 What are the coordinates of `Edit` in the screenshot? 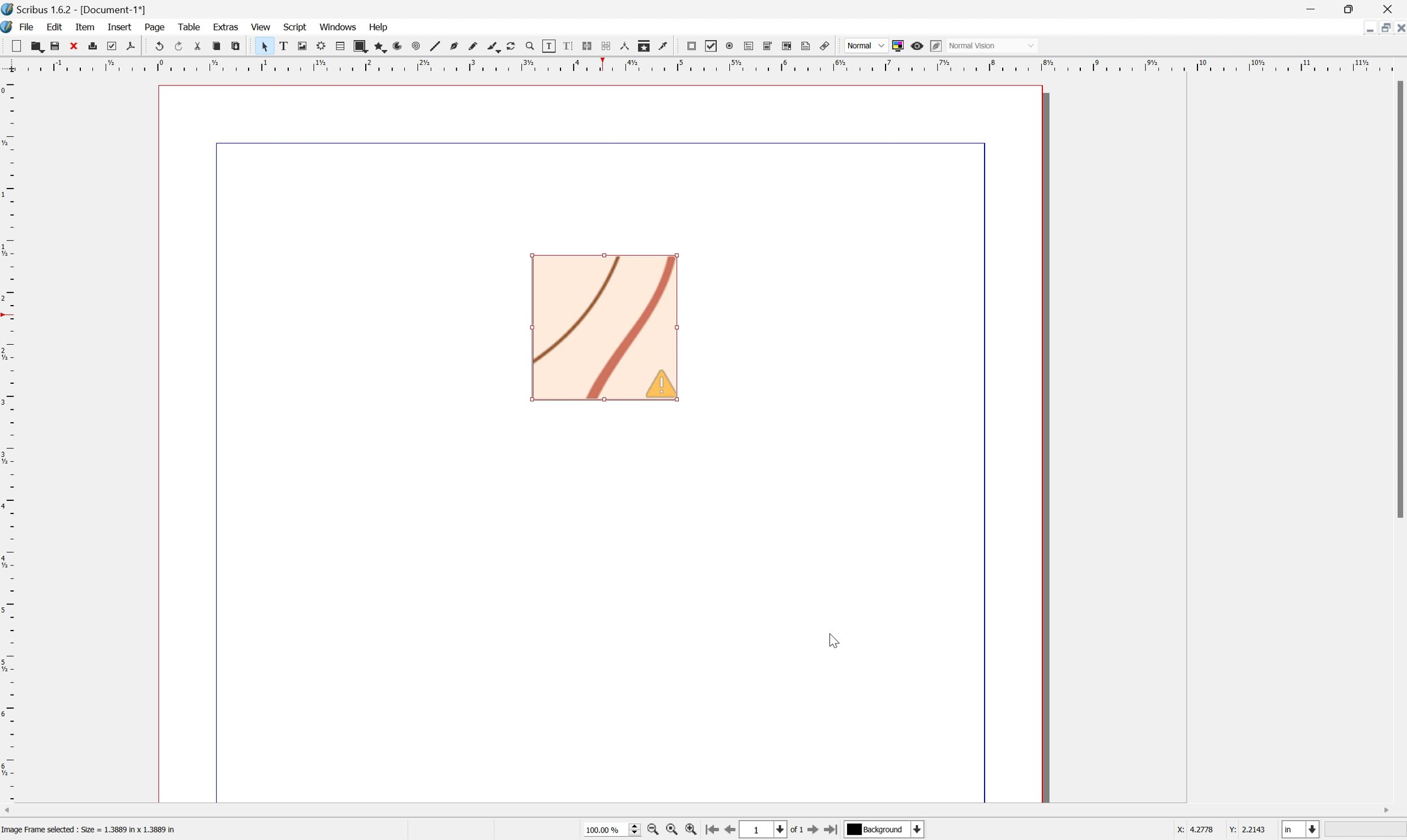 It's located at (53, 27).